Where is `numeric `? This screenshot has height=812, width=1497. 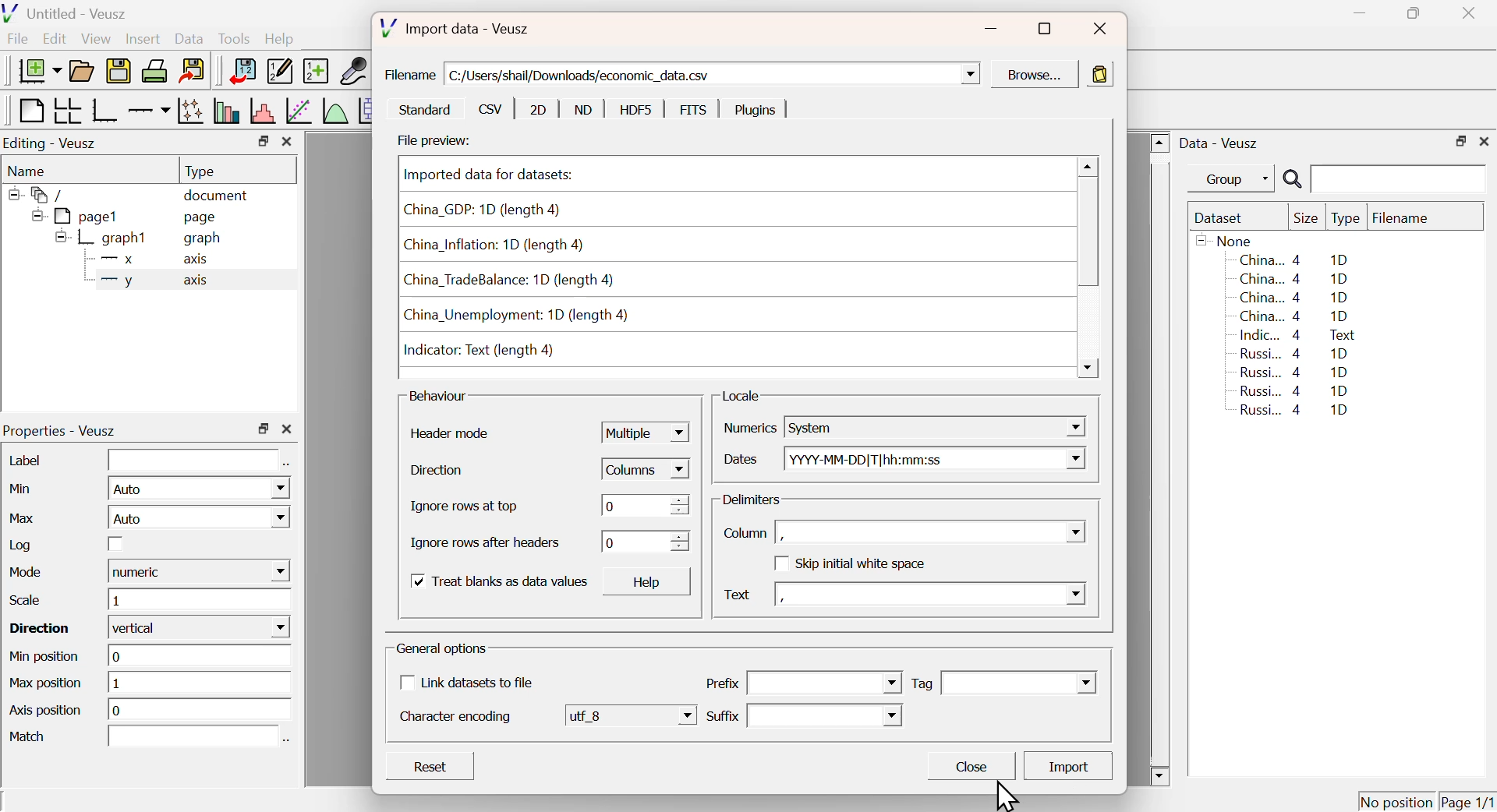
numeric  is located at coordinates (199, 571).